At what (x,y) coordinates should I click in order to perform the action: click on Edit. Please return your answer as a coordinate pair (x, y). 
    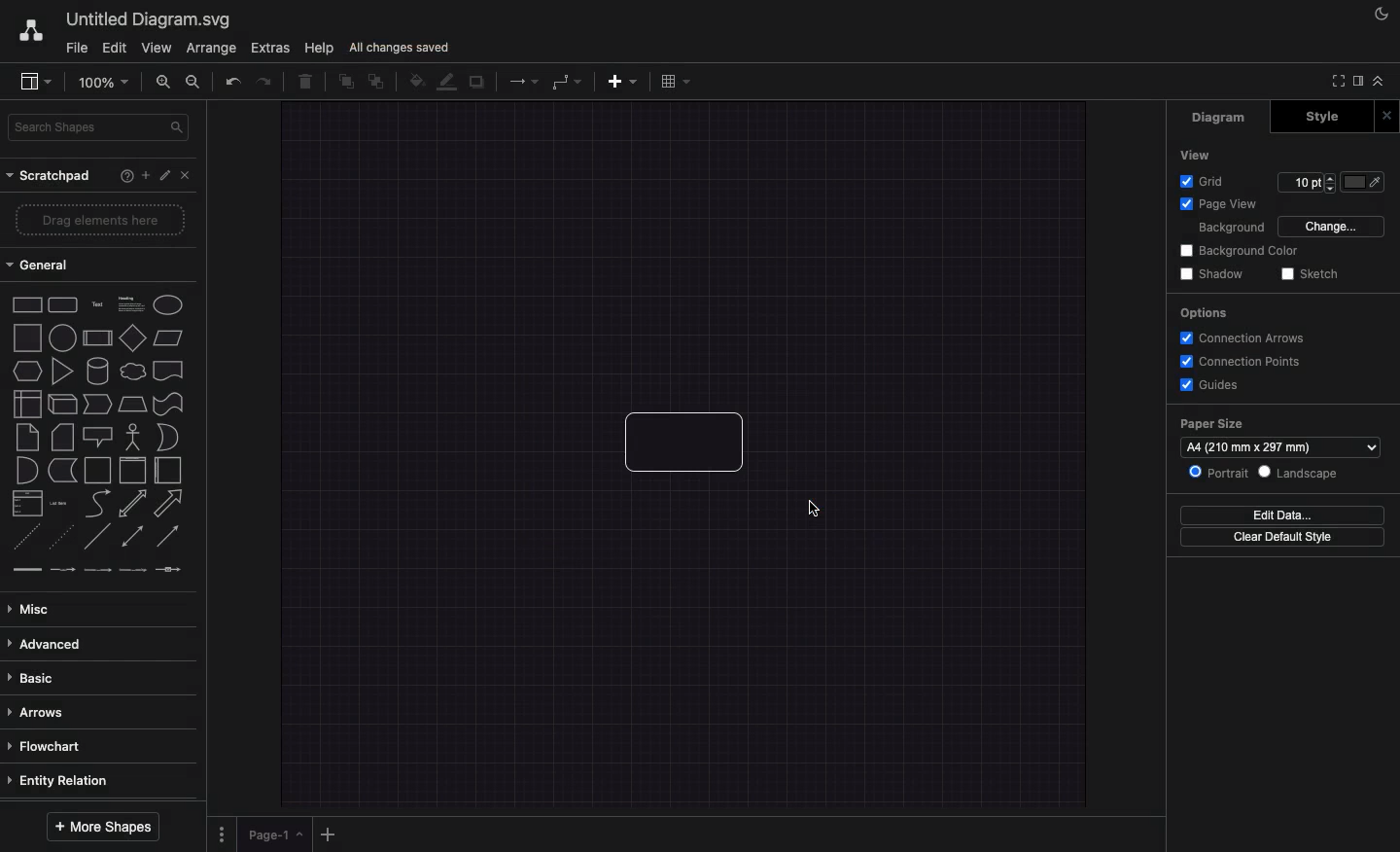
    Looking at the image, I should click on (112, 49).